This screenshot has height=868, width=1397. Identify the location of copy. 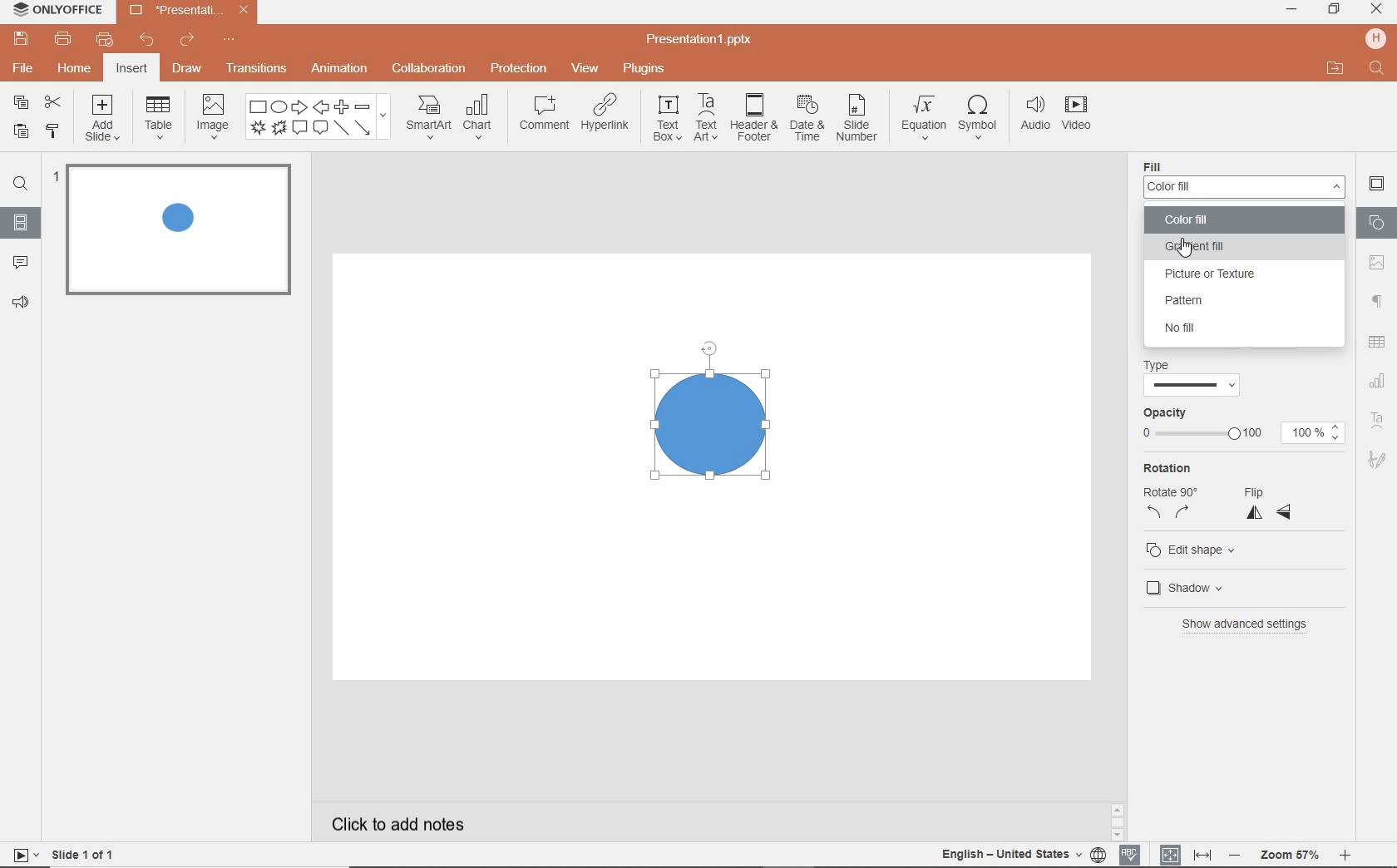
(23, 104).